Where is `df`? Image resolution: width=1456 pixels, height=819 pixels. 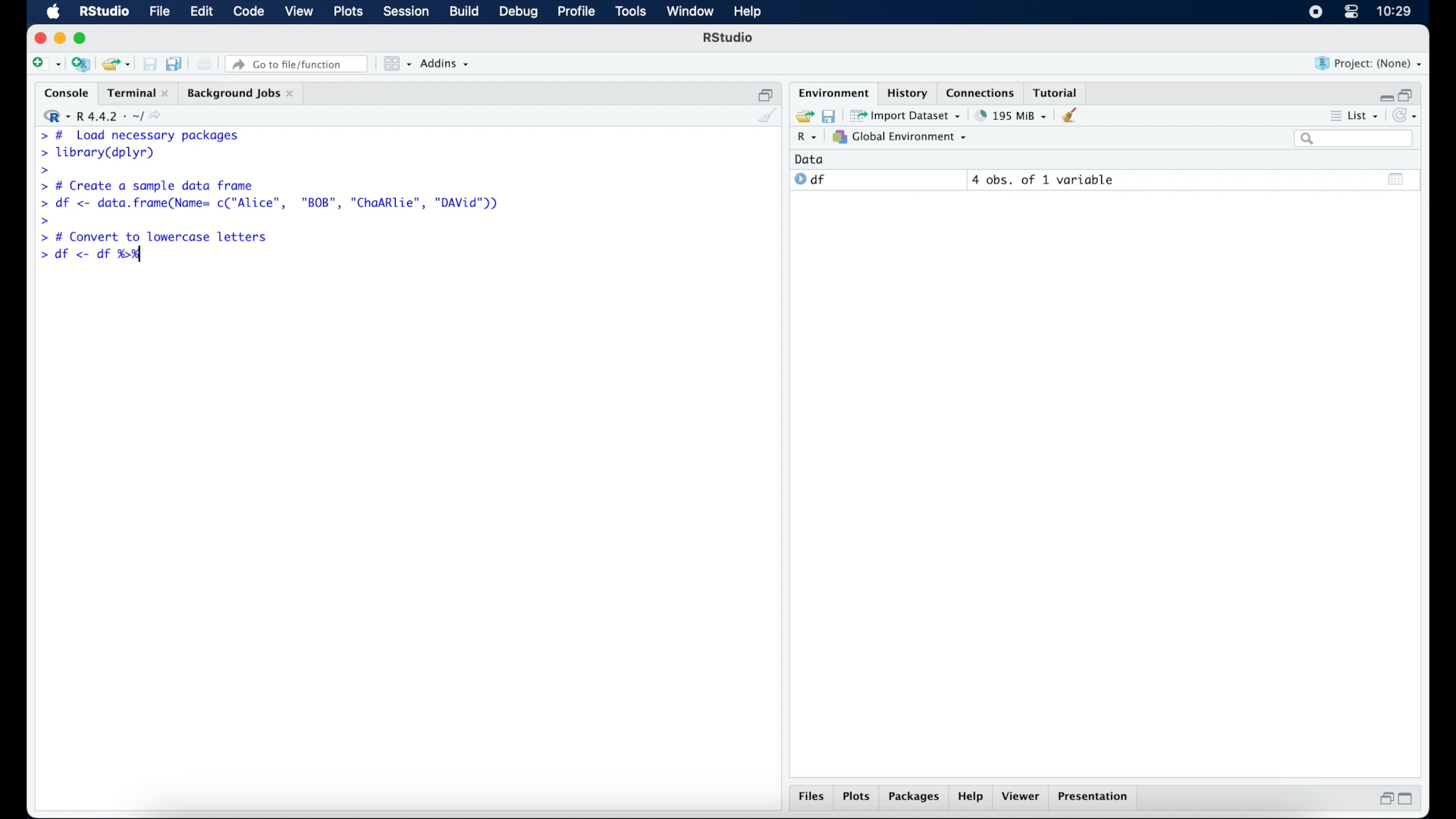
df is located at coordinates (810, 180).